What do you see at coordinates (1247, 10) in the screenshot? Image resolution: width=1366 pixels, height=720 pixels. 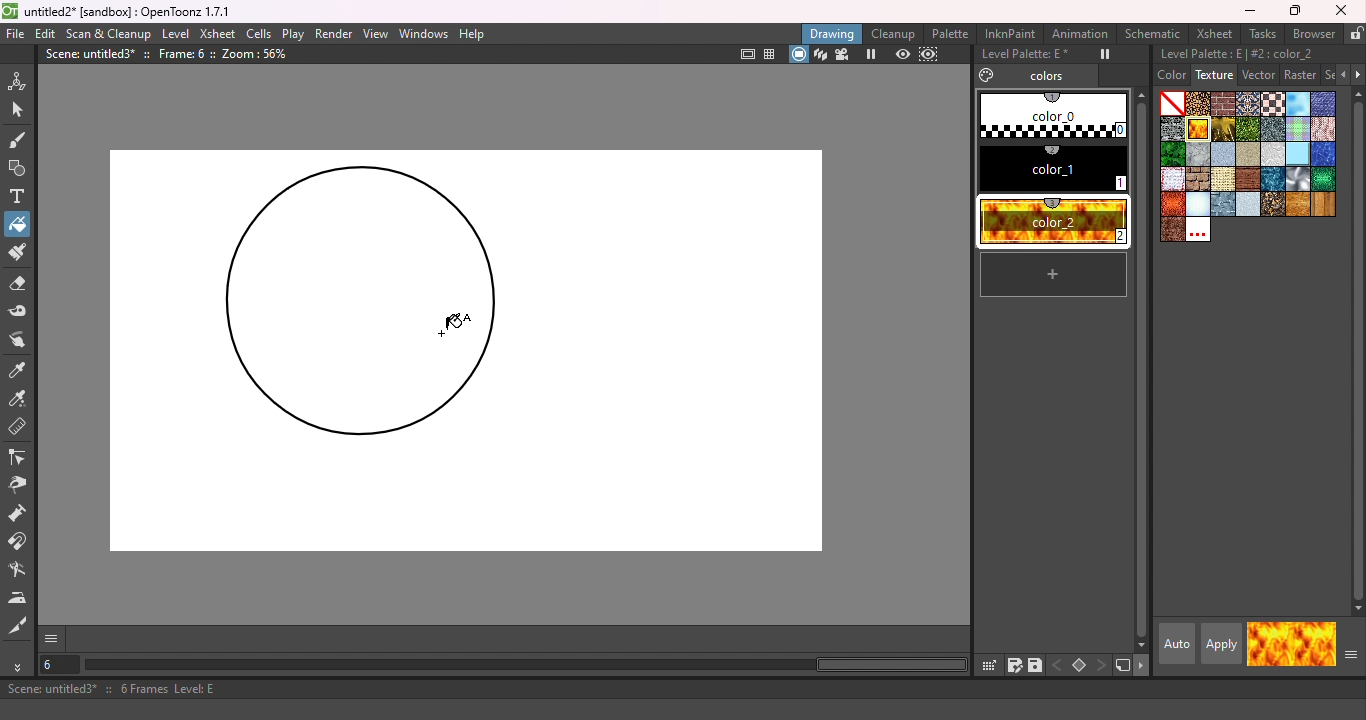 I see `Minimize ` at bounding box center [1247, 10].